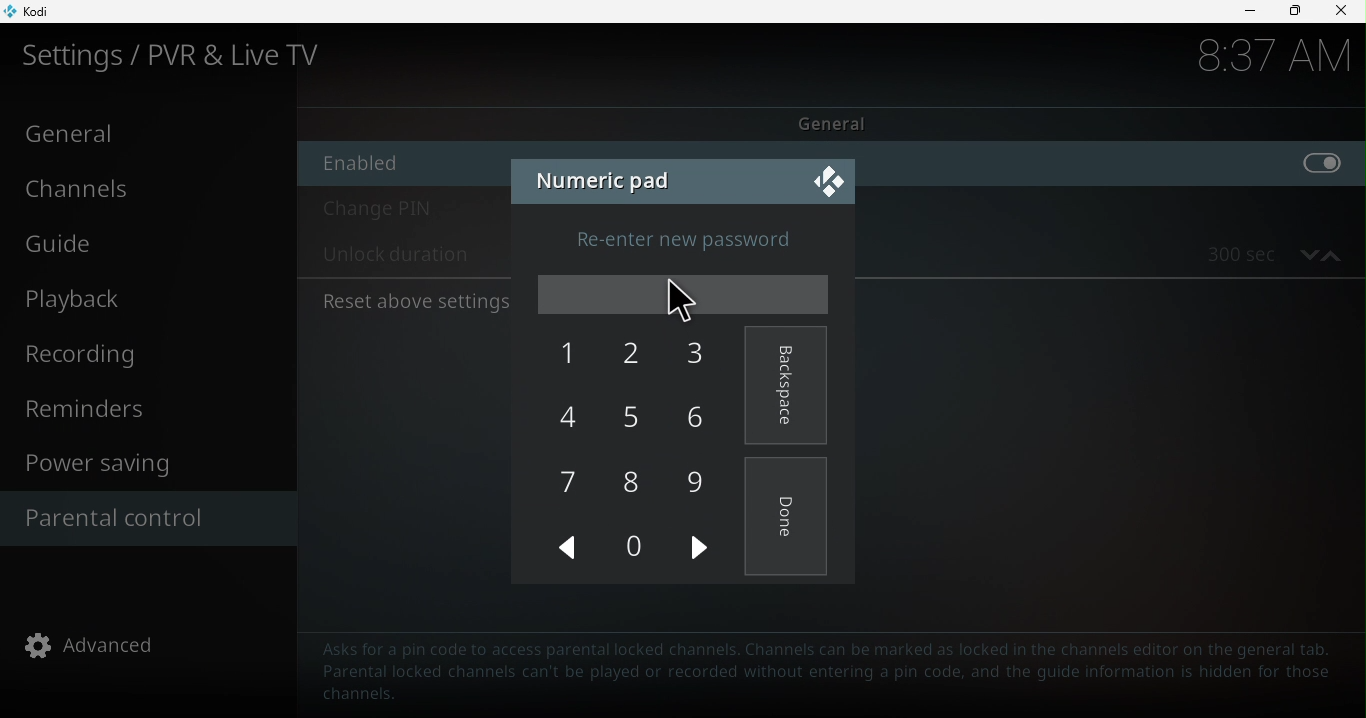 The height and width of the screenshot is (718, 1366). Describe the element at coordinates (187, 56) in the screenshot. I see `Settings/PVR and Live TV` at that location.